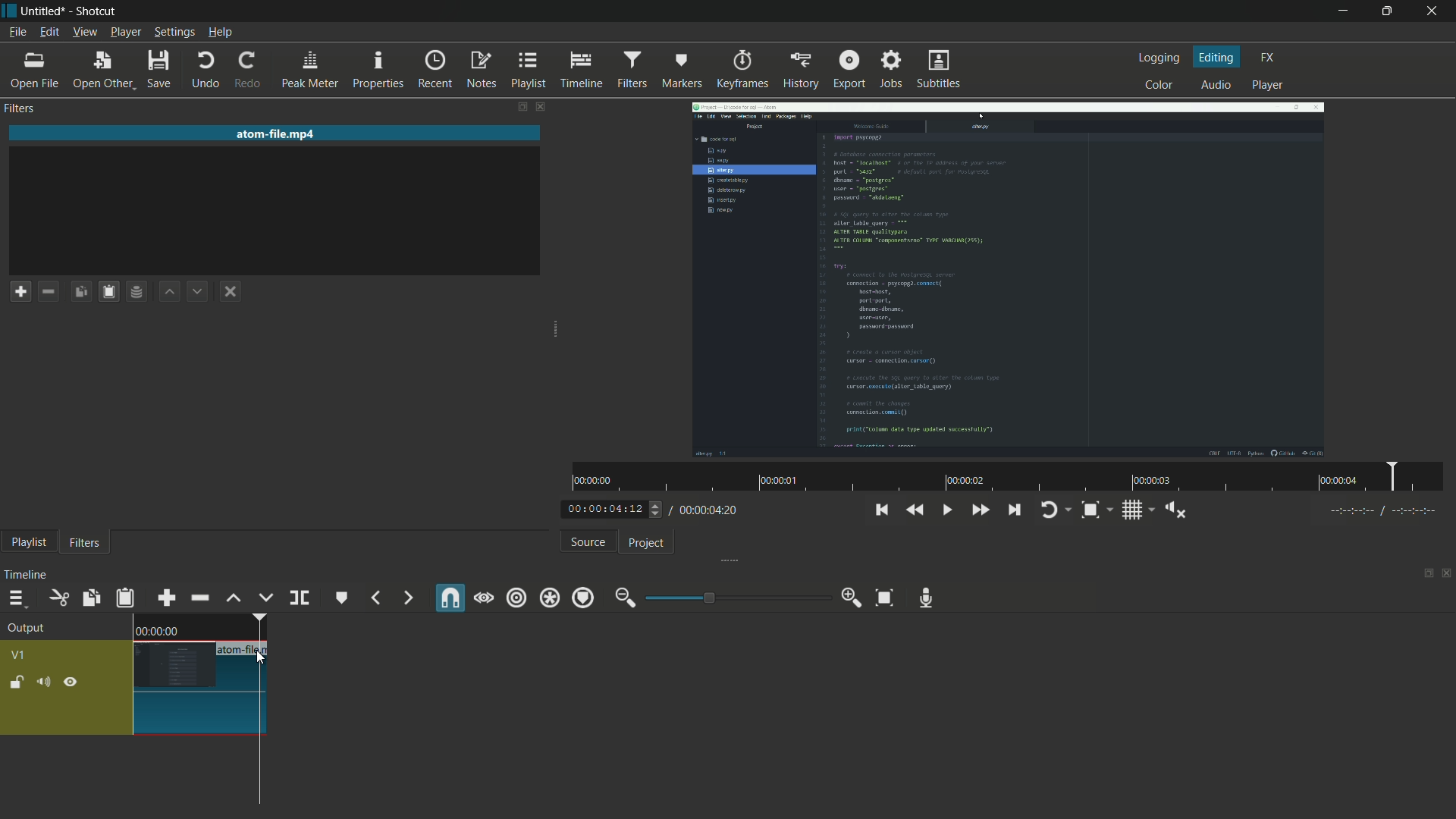 This screenshot has height=819, width=1456. What do you see at coordinates (517, 598) in the screenshot?
I see `ripple` at bounding box center [517, 598].